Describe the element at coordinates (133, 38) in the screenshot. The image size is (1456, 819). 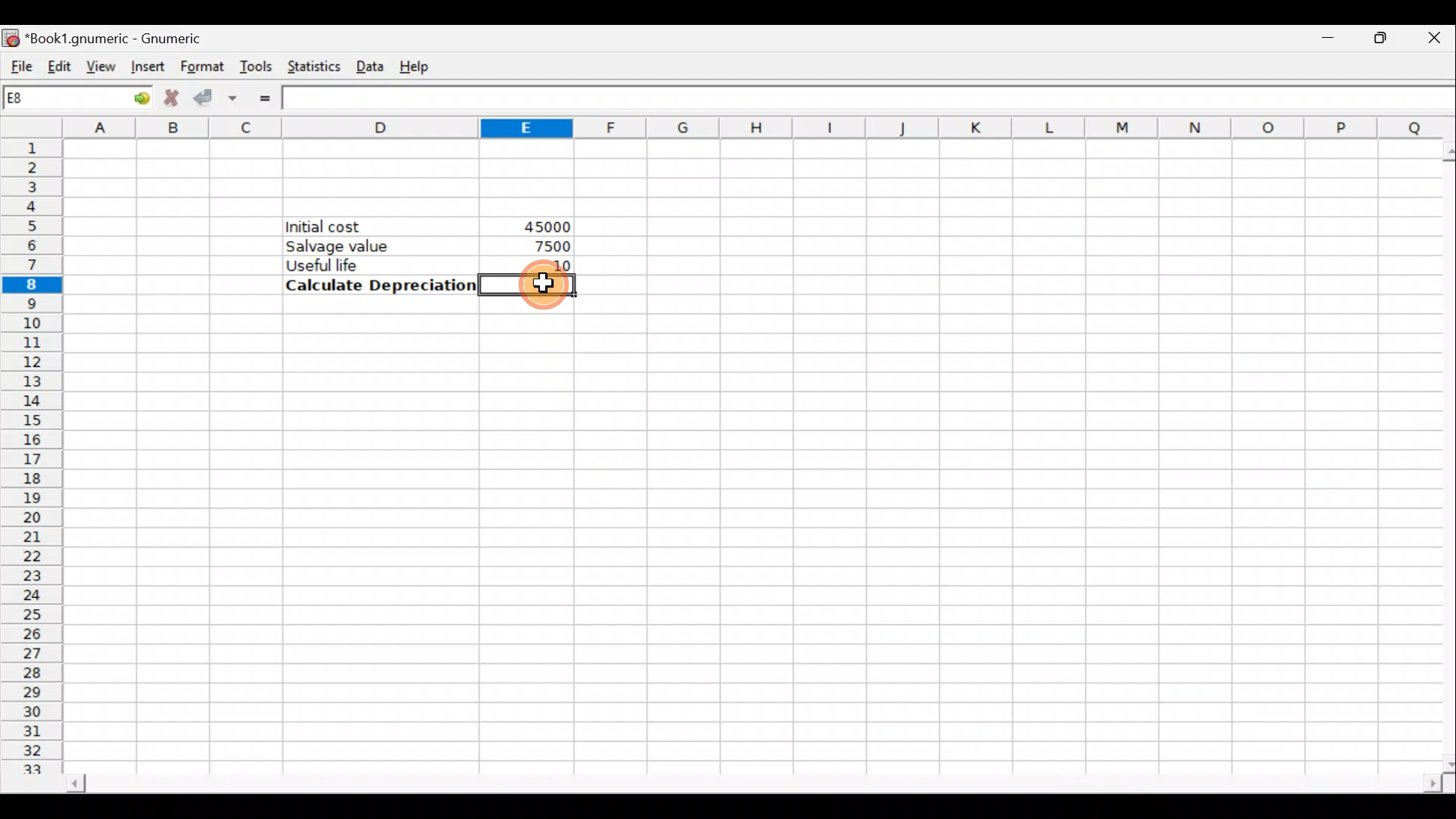
I see `*Book1.gnumeric - Gnumeric` at that location.